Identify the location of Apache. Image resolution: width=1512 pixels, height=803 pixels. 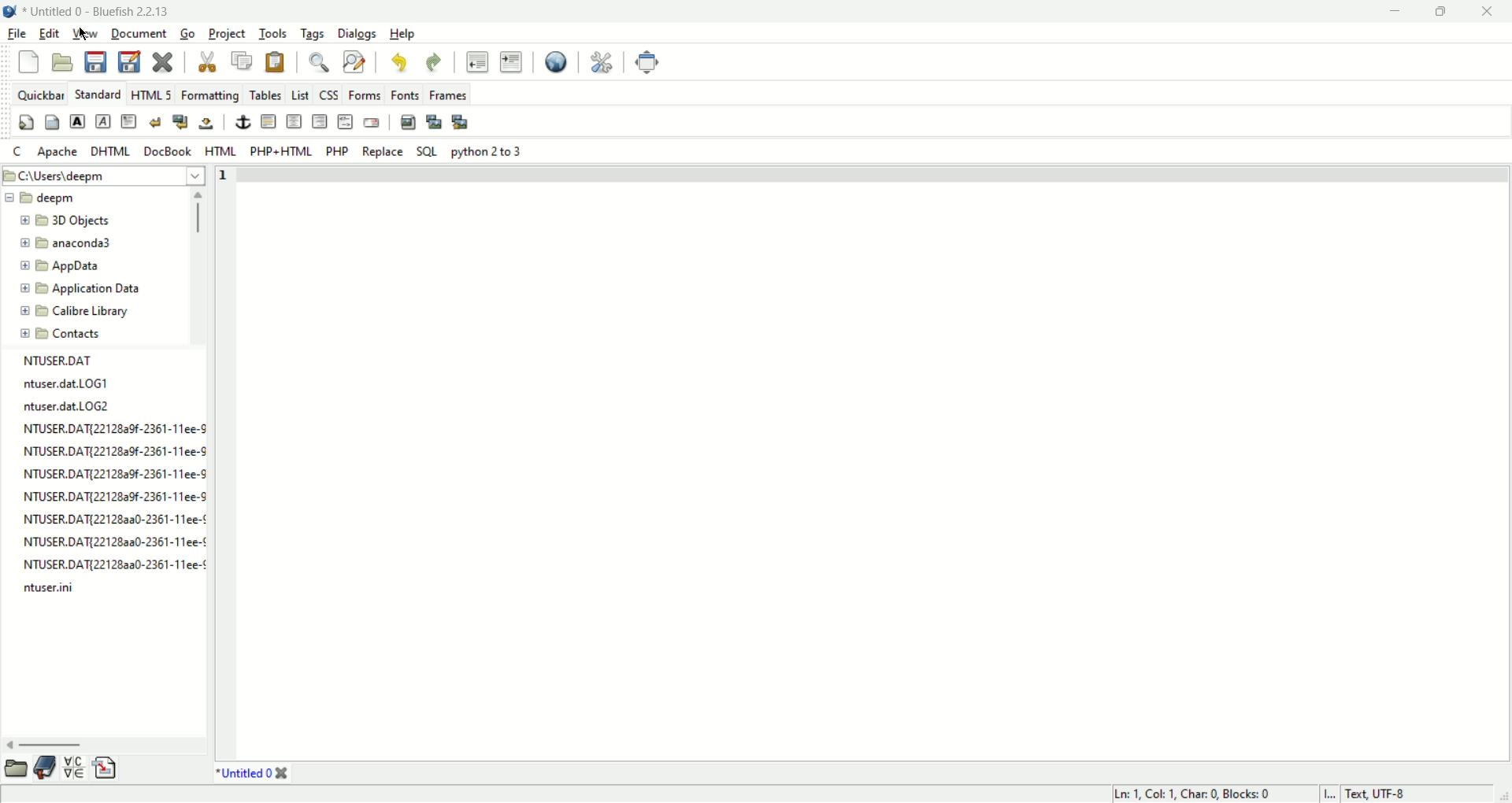
(57, 150).